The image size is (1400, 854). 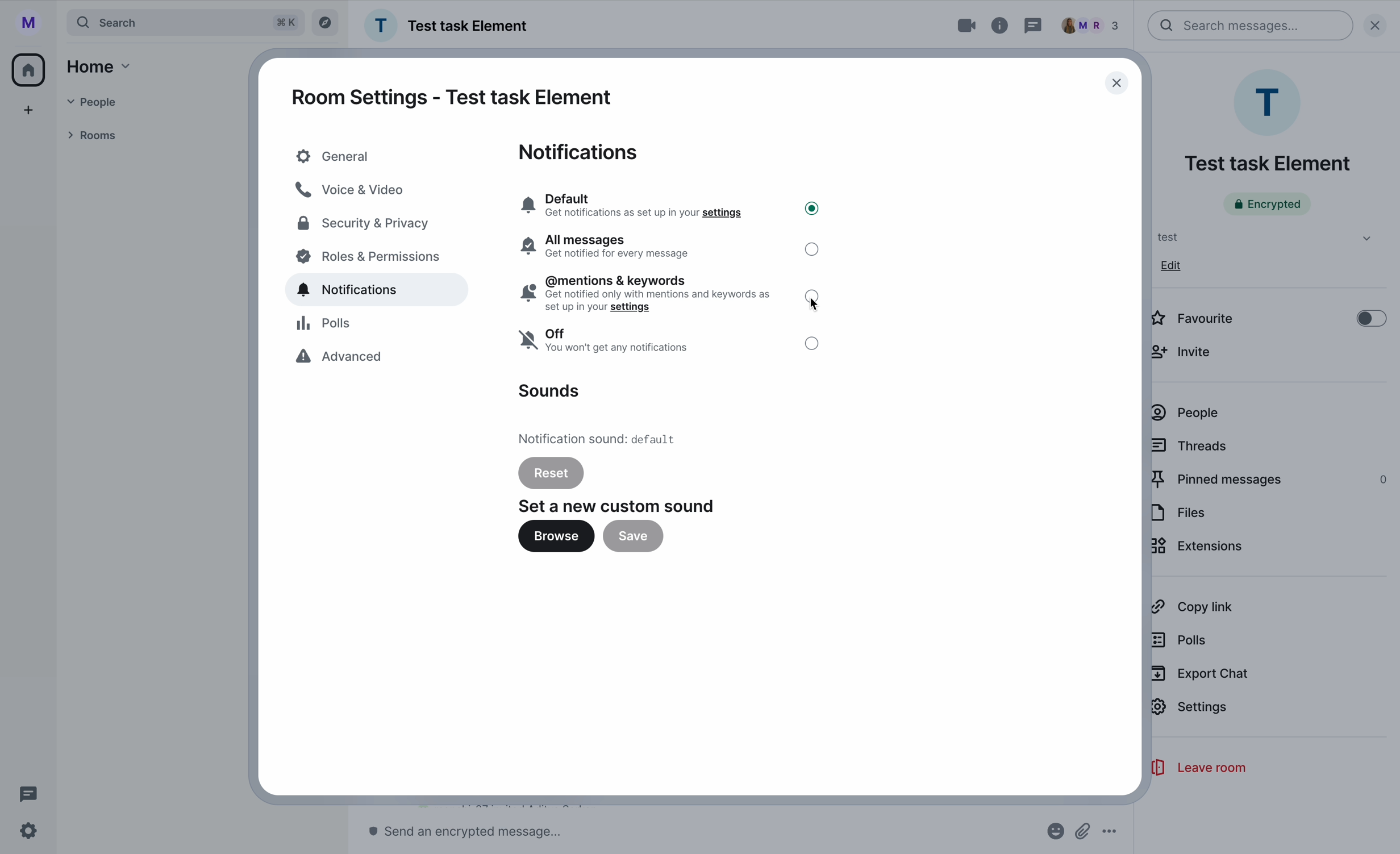 What do you see at coordinates (370, 259) in the screenshot?
I see `poles and permissions` at bounding box center [370, 259].